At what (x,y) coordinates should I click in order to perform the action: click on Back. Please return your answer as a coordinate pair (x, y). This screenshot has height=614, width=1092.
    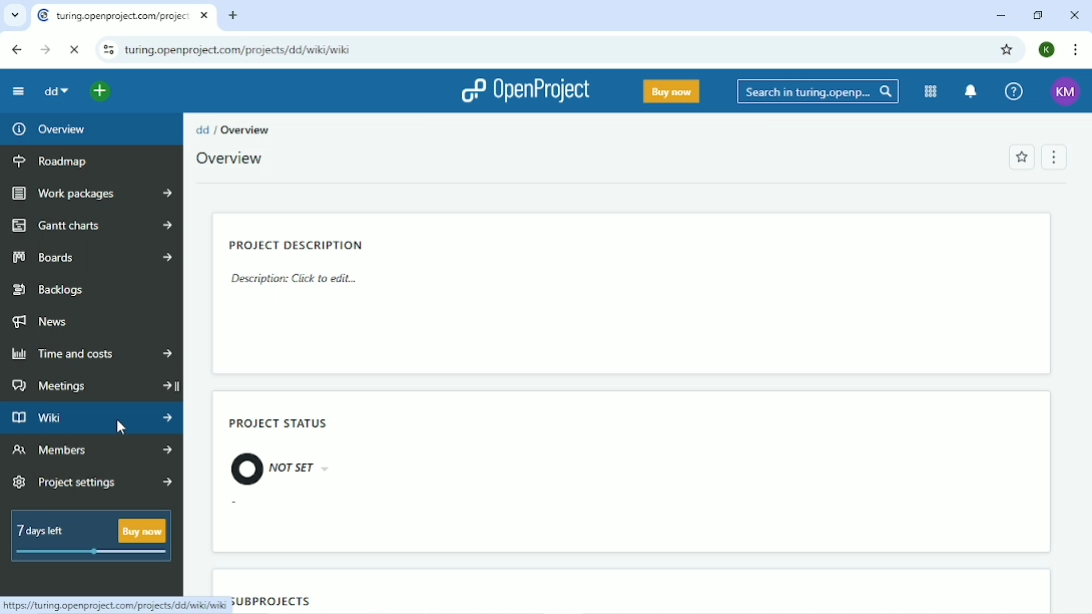
    Looking at the image, I should click on (16, 50).